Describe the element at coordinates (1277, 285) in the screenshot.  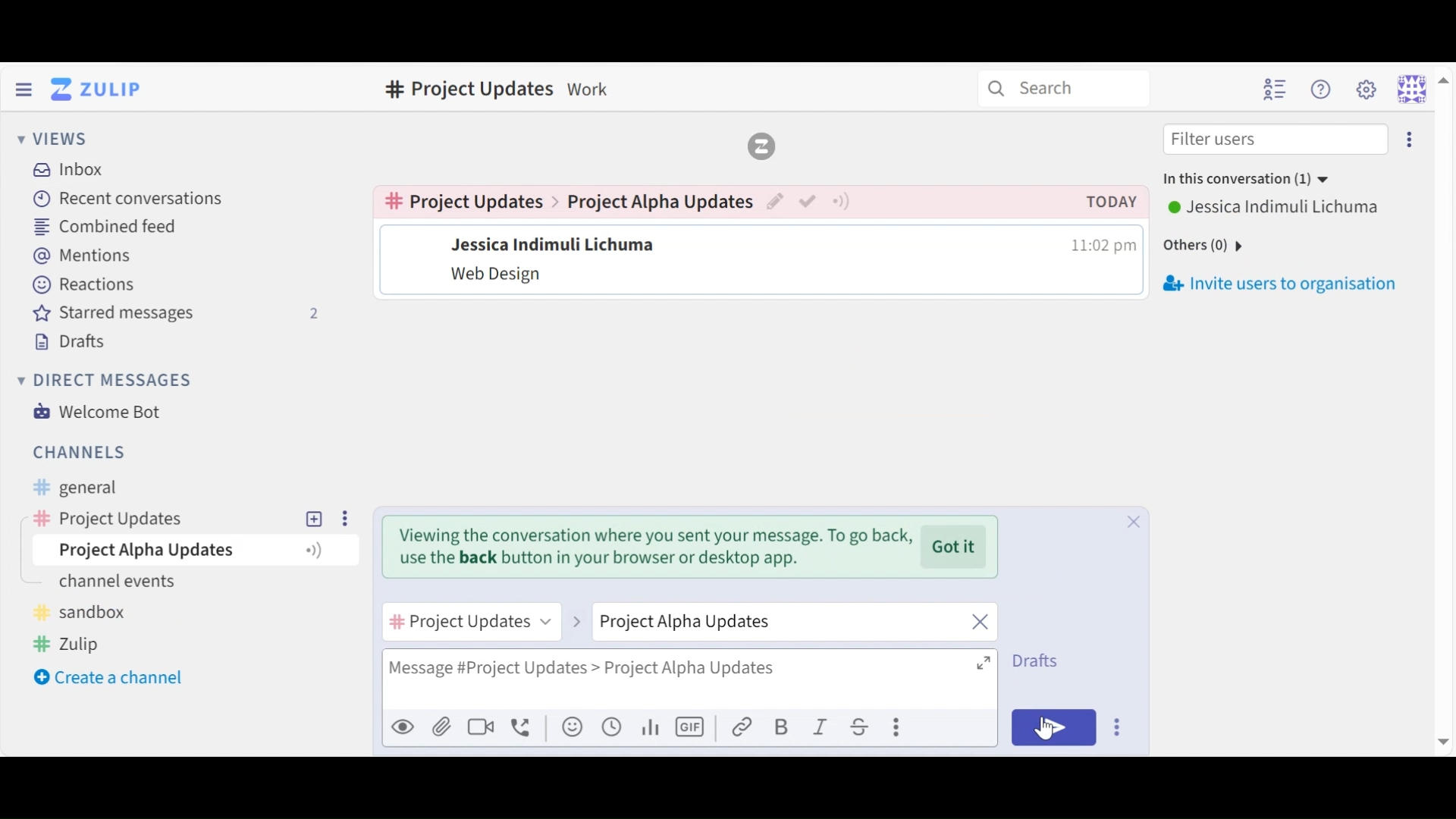
I see `Invite users to organisation` at that location.